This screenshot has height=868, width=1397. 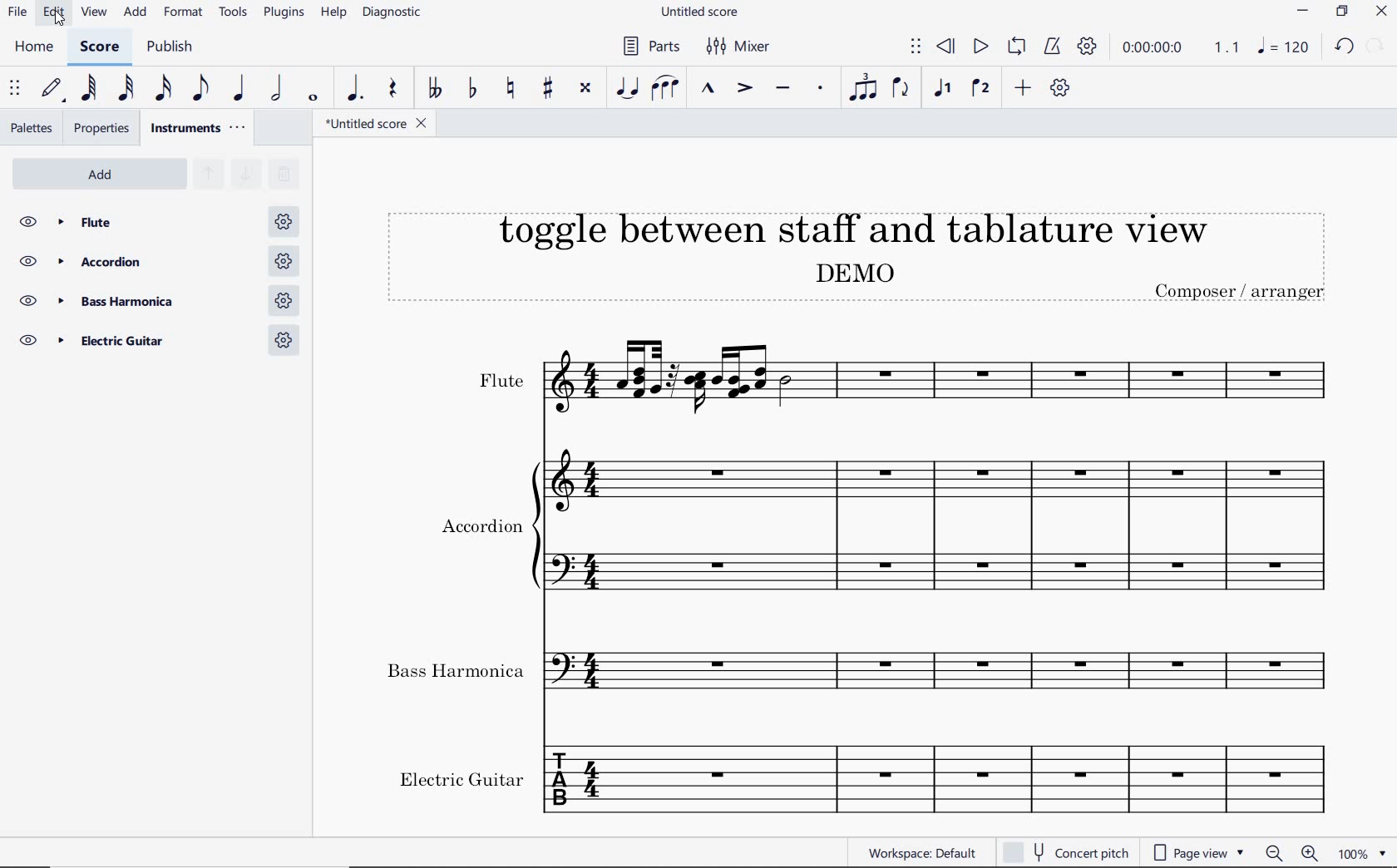 What do you see at coordinates (436, 86) in the screenshot?
I see `toggle double-flat` at bounding box center [436, 86].